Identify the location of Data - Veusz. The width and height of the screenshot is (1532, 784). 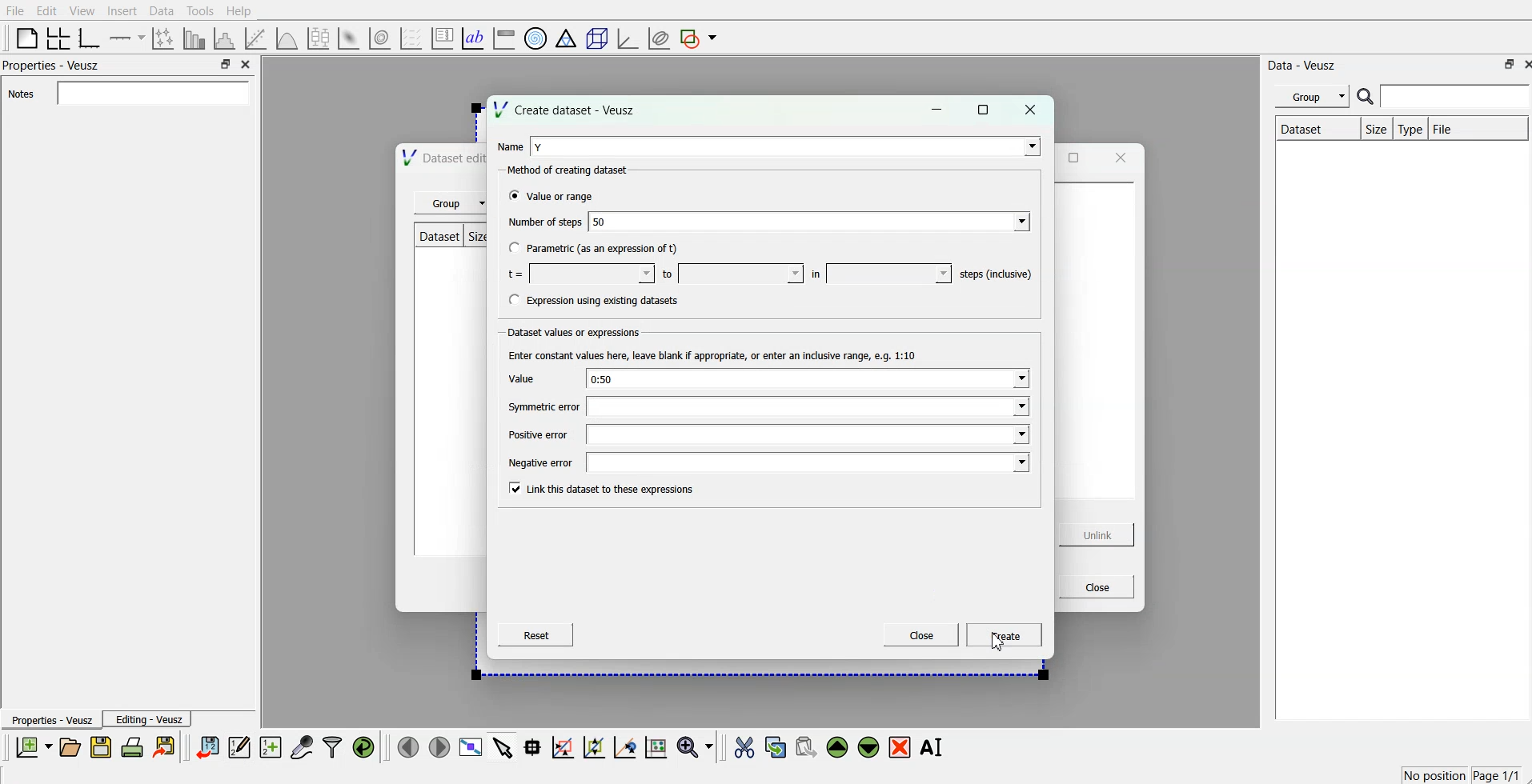
(1303, 65).